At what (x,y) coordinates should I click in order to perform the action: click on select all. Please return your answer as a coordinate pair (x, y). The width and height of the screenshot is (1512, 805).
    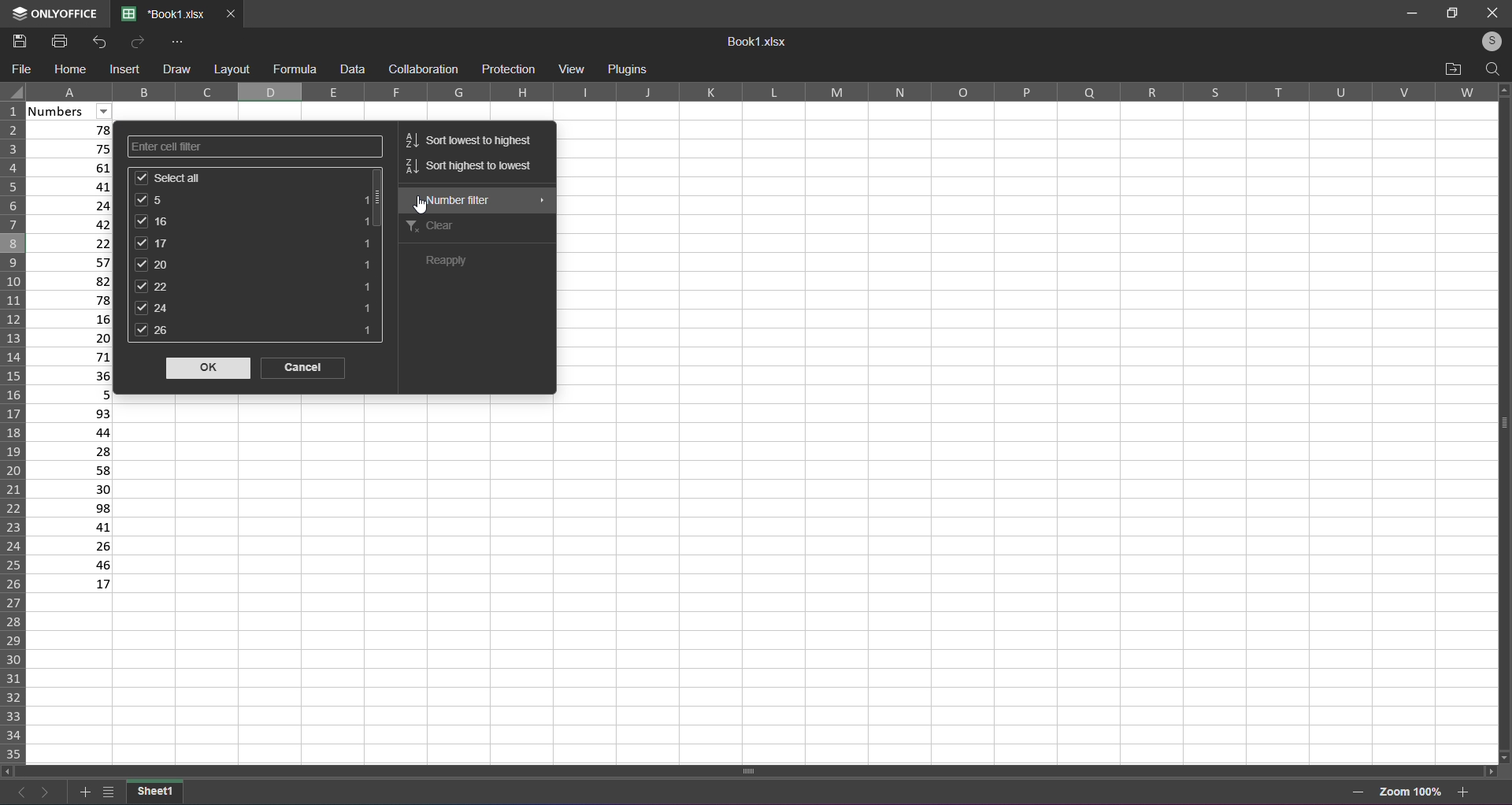
    Looking at the image, I should click on (13, 92).